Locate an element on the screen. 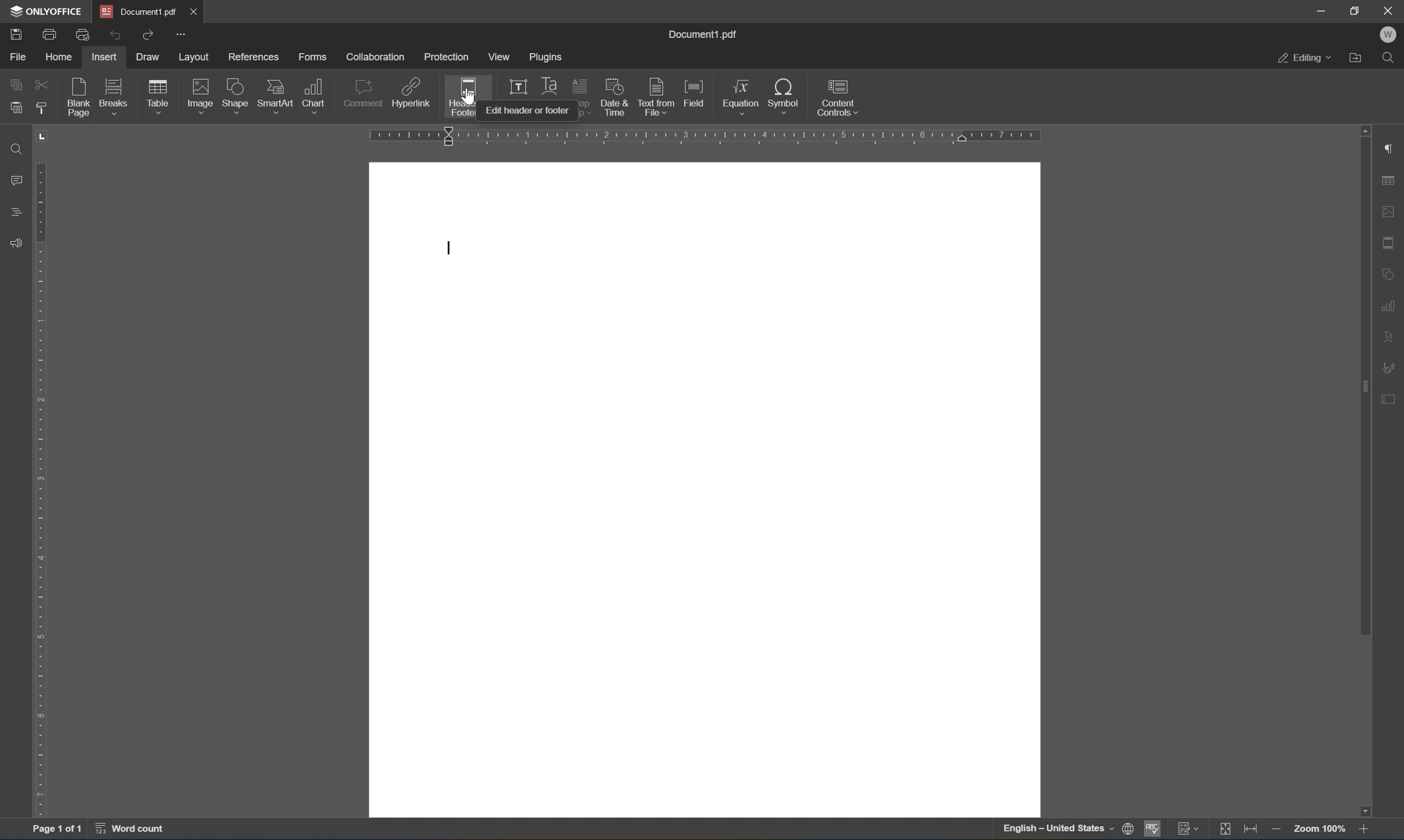 The width and height of the screenshot is (1404, 840). print is located at coordinates (46, 35).